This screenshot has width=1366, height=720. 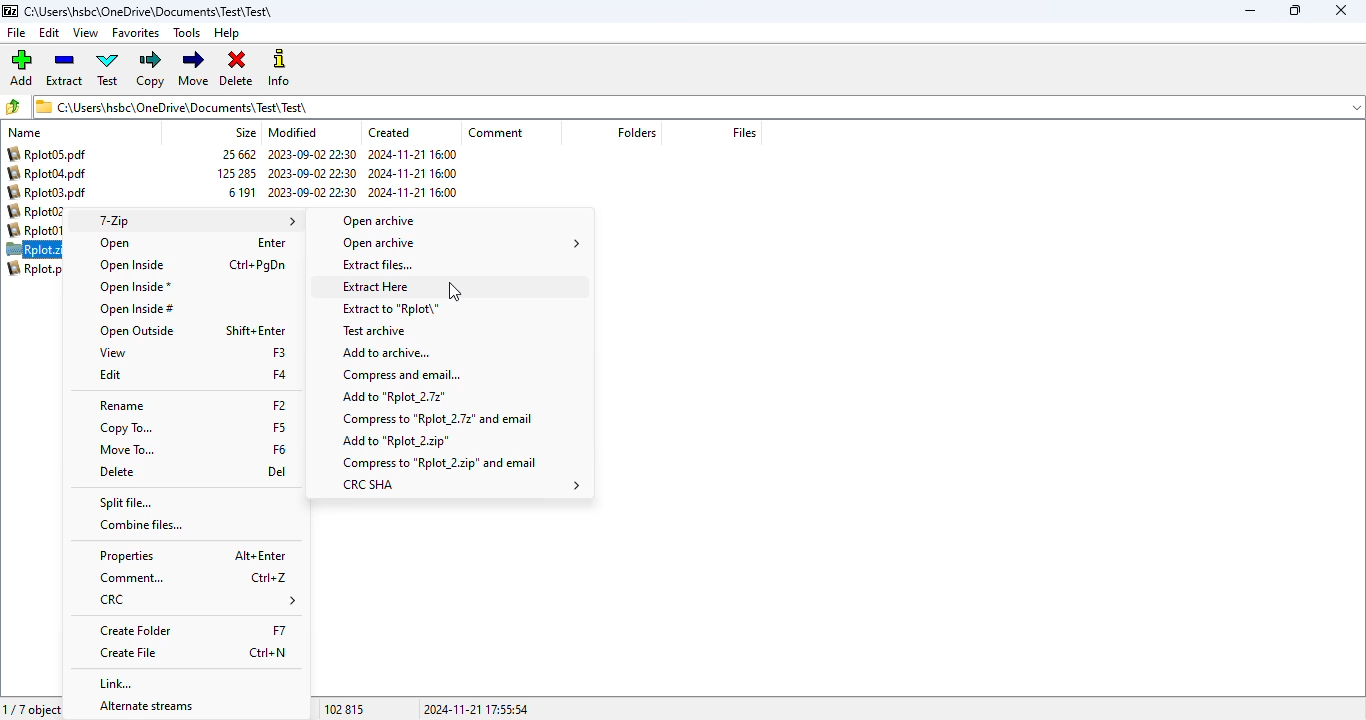 I want to click on favorites, so click(x=135, y=33).